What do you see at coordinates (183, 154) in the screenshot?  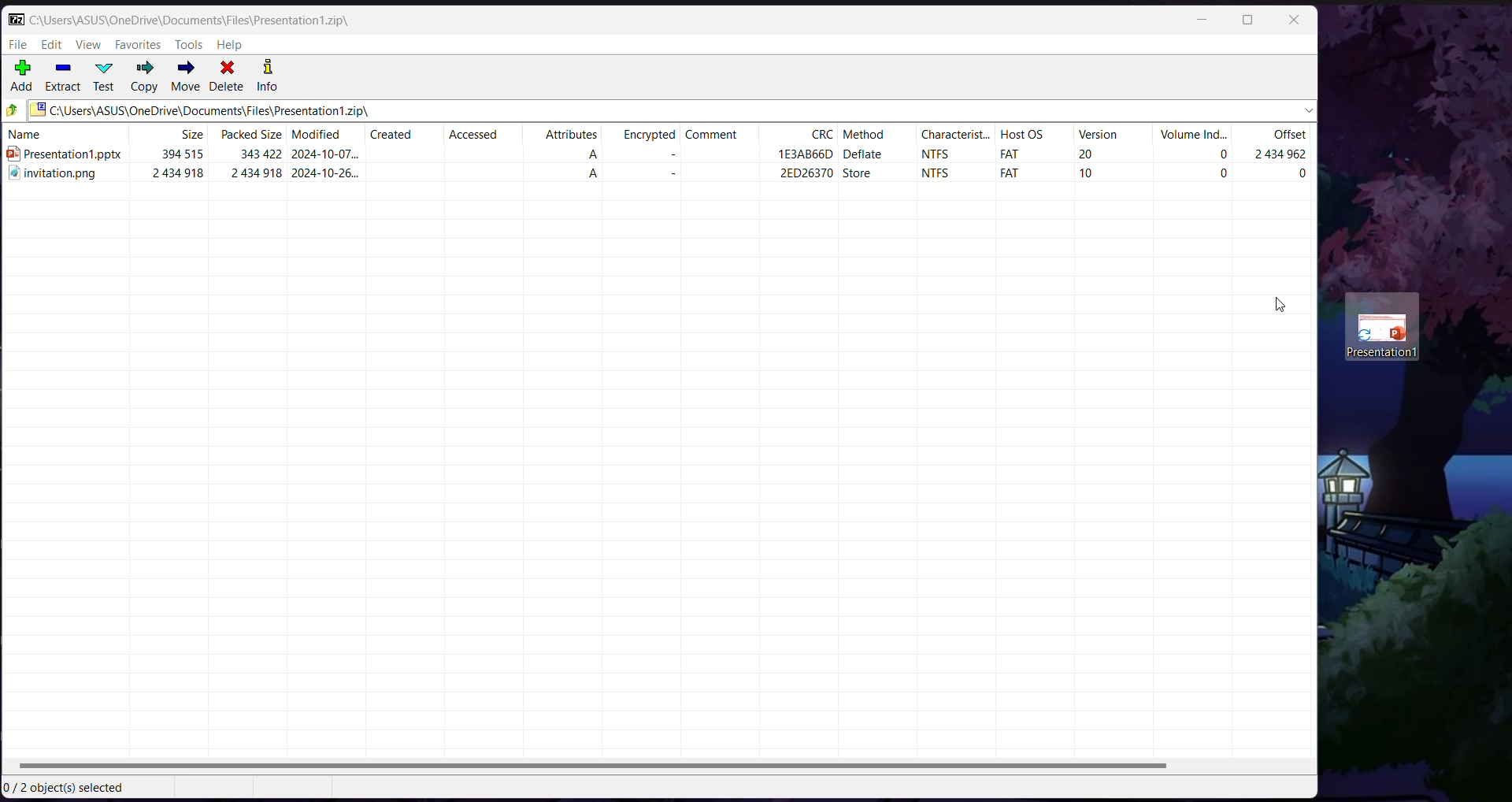 I see `394515` at bounding box center [183, 154].